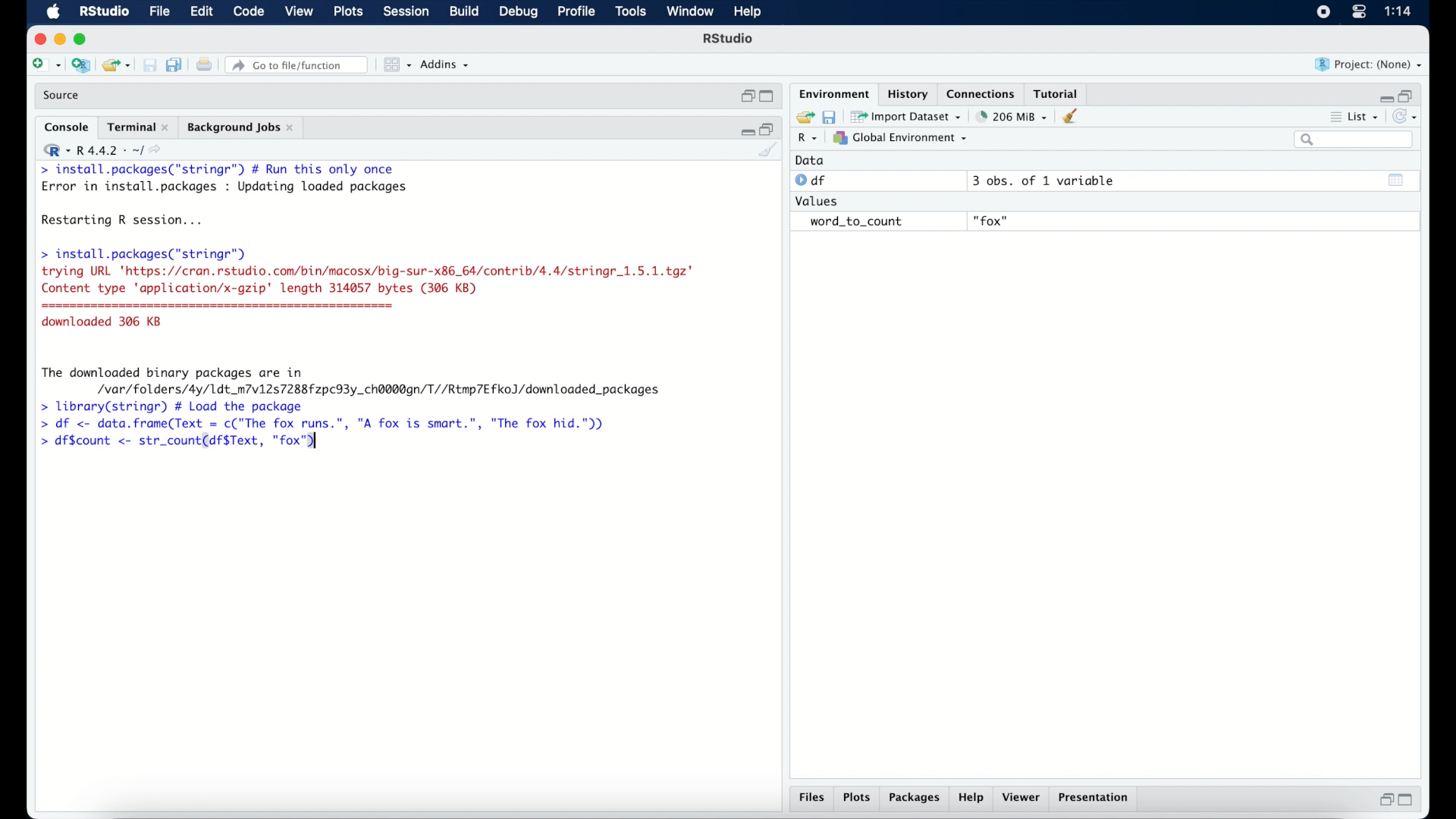 The height and width of the screenshot is (819, 1456). I want to click on environment, so click(833, 93).